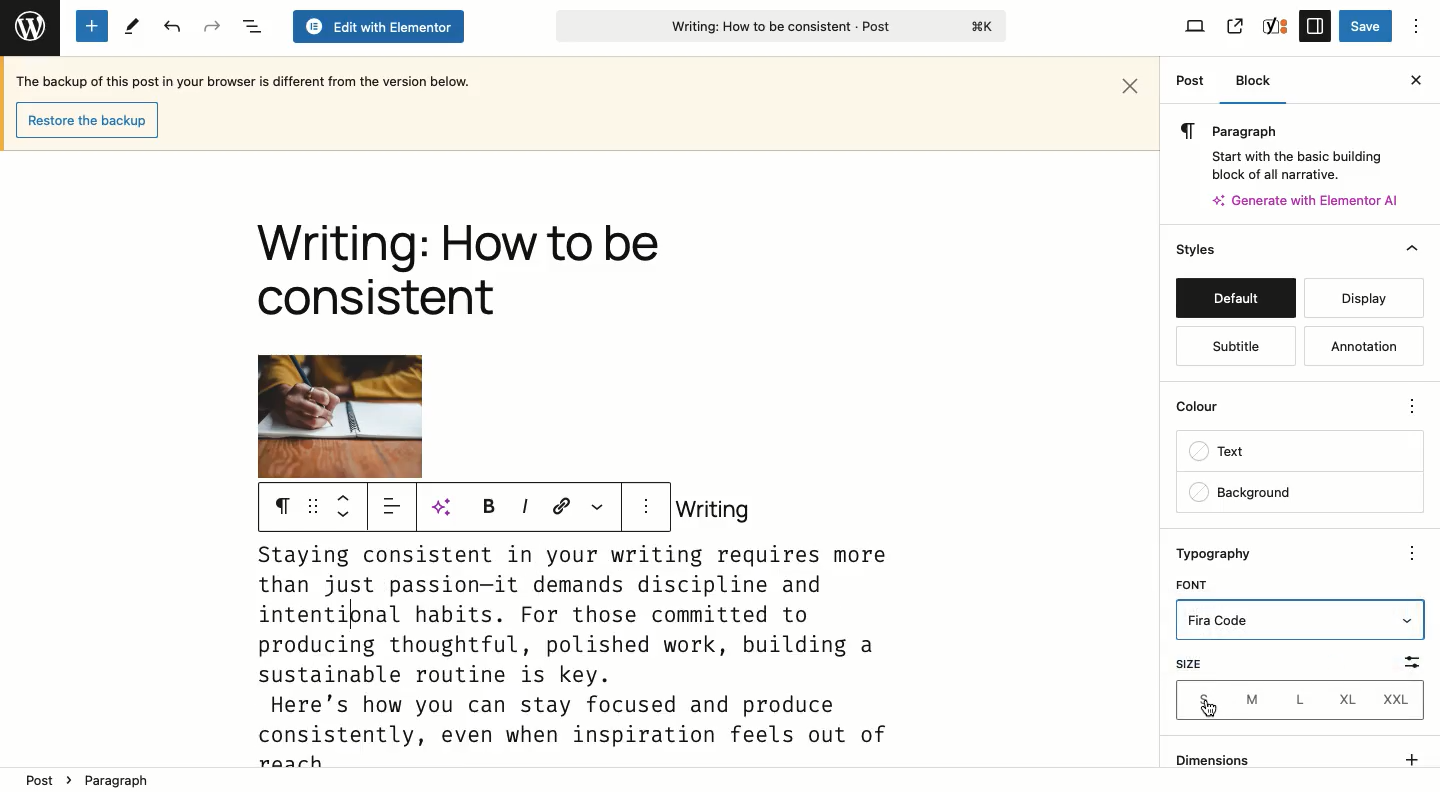 Image resolution: width=1440 pixels, height=792 pixels. Describe the element at coordinates (212, 26) in the screenshot. I see `Redo` at that location.